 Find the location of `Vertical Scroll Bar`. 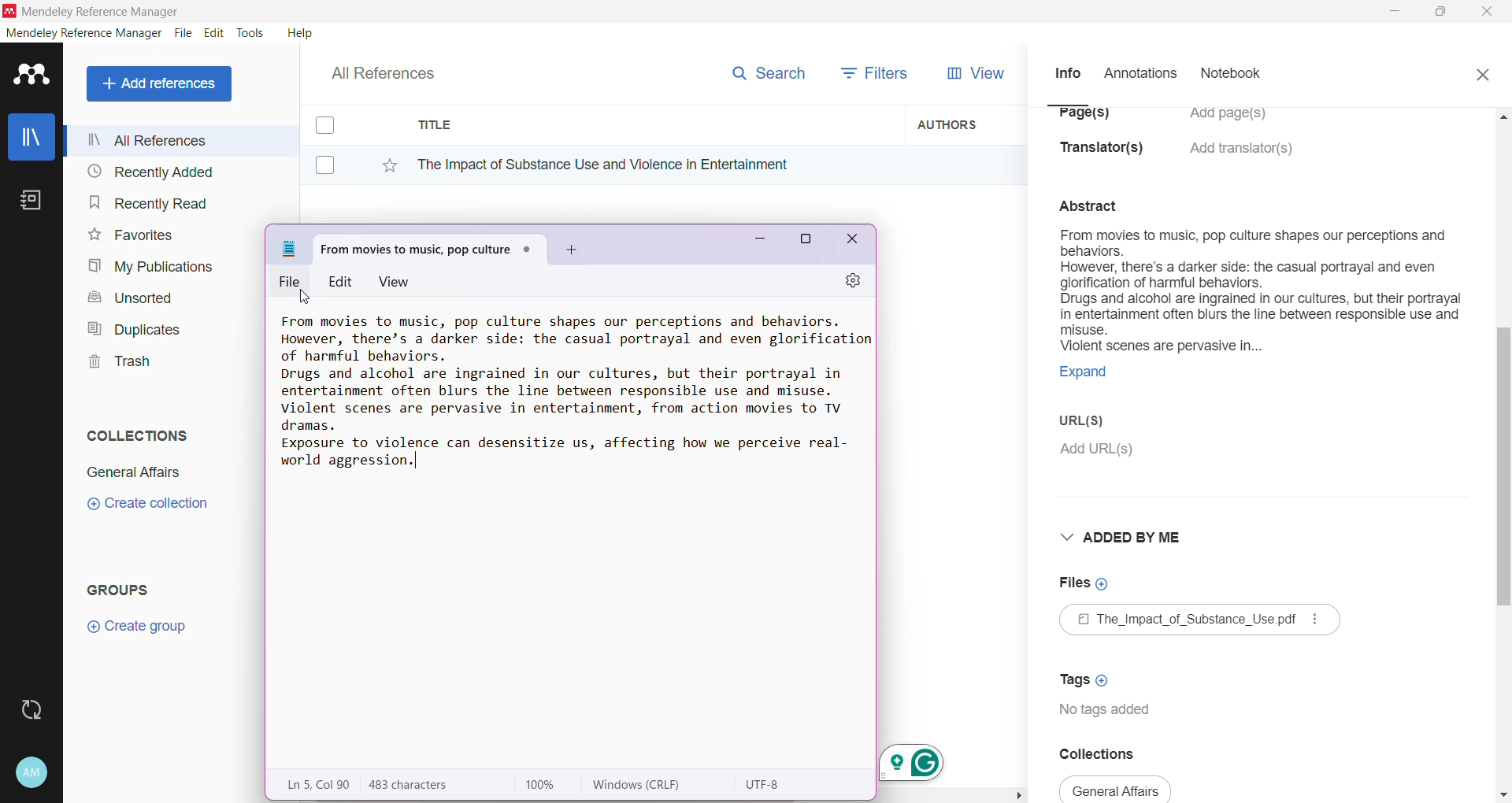

Vertical Scroll Bar is located at coordinates (1503, 453).